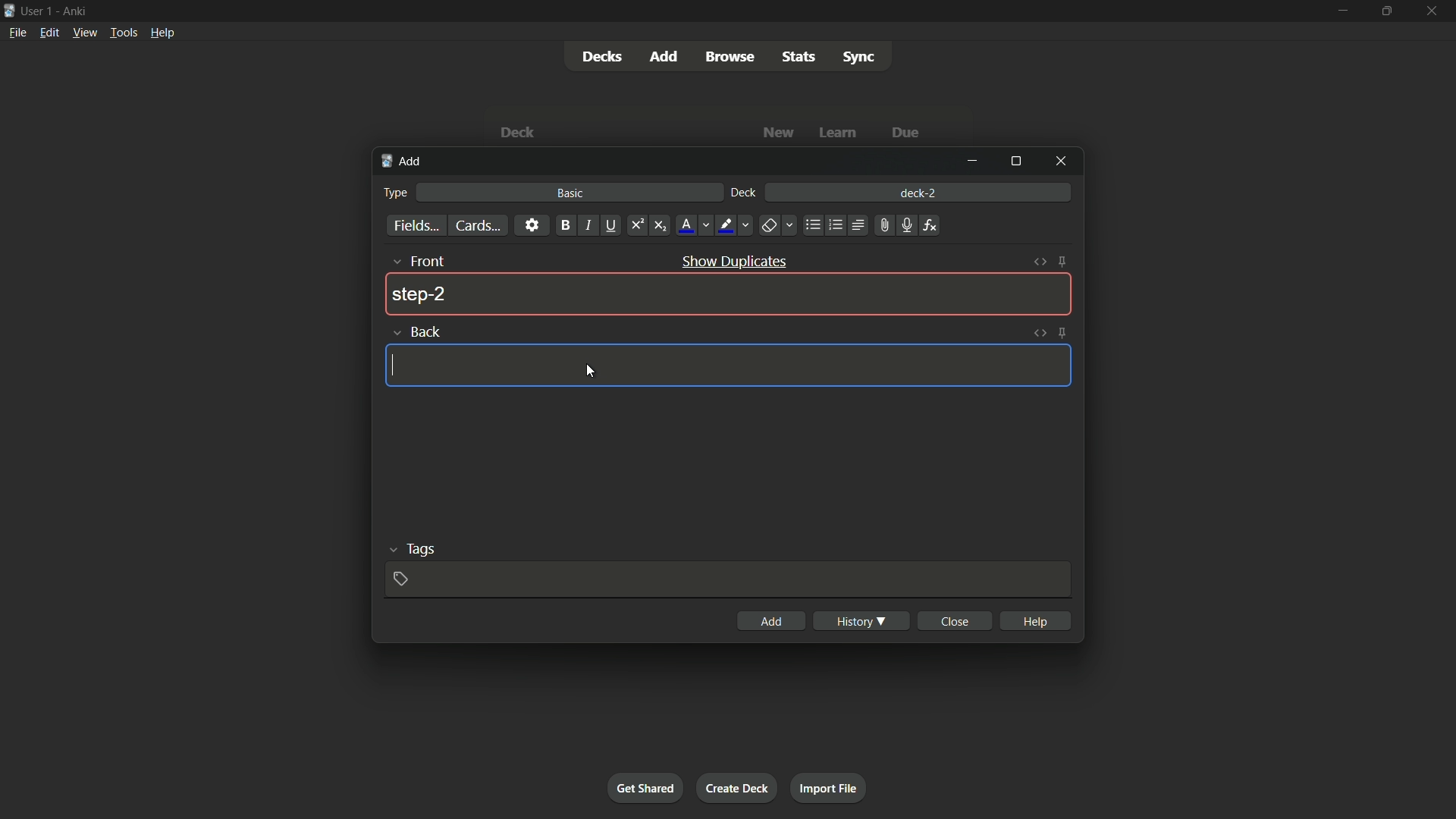 The image size is (1456, 819). What do you see at coordinates (840, 133) in the screenshot?
I see `learn` at bounding box center [840, 133].